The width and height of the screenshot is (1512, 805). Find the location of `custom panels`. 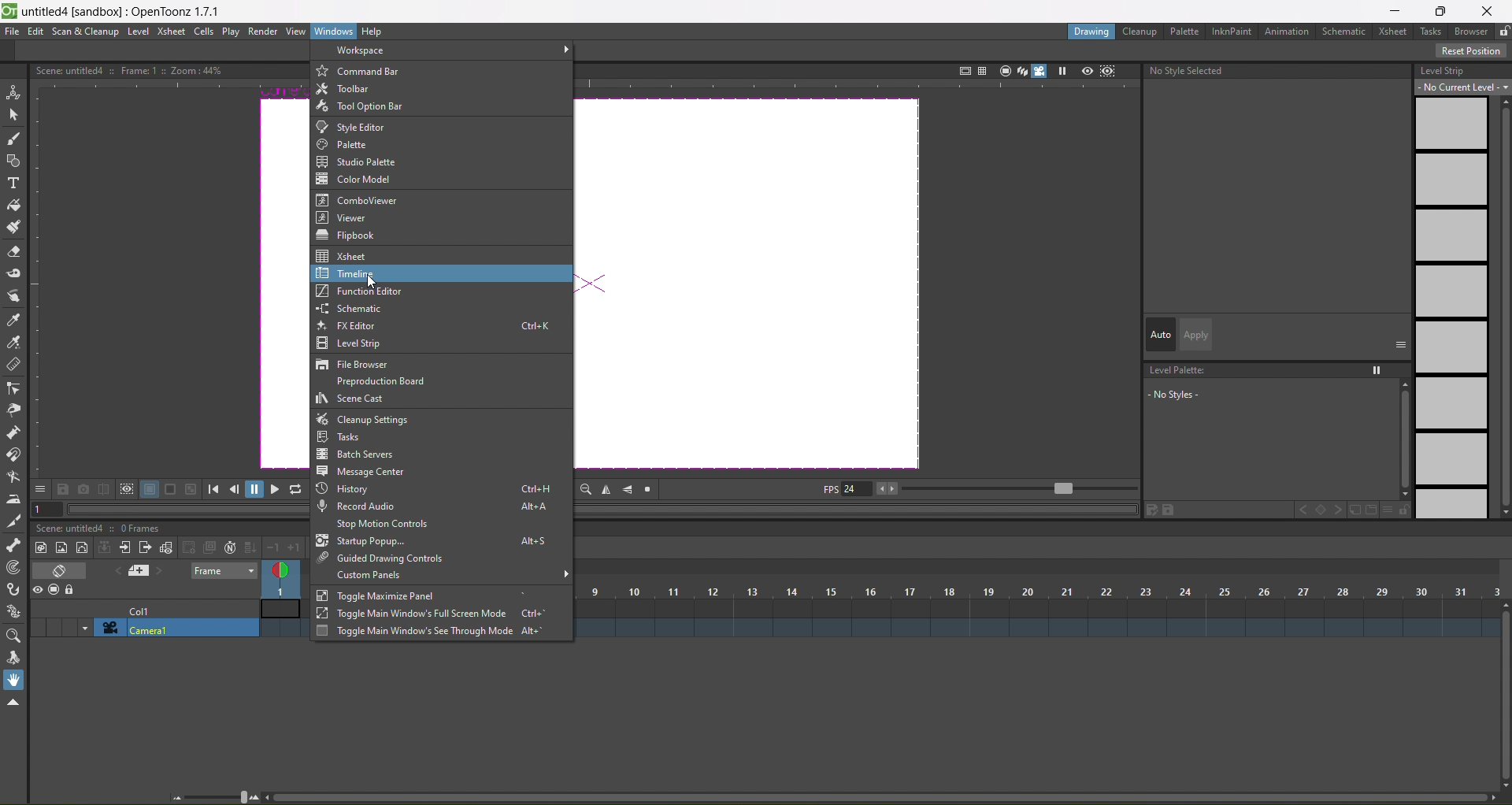

custom panels is located at coordinates (374, 575).